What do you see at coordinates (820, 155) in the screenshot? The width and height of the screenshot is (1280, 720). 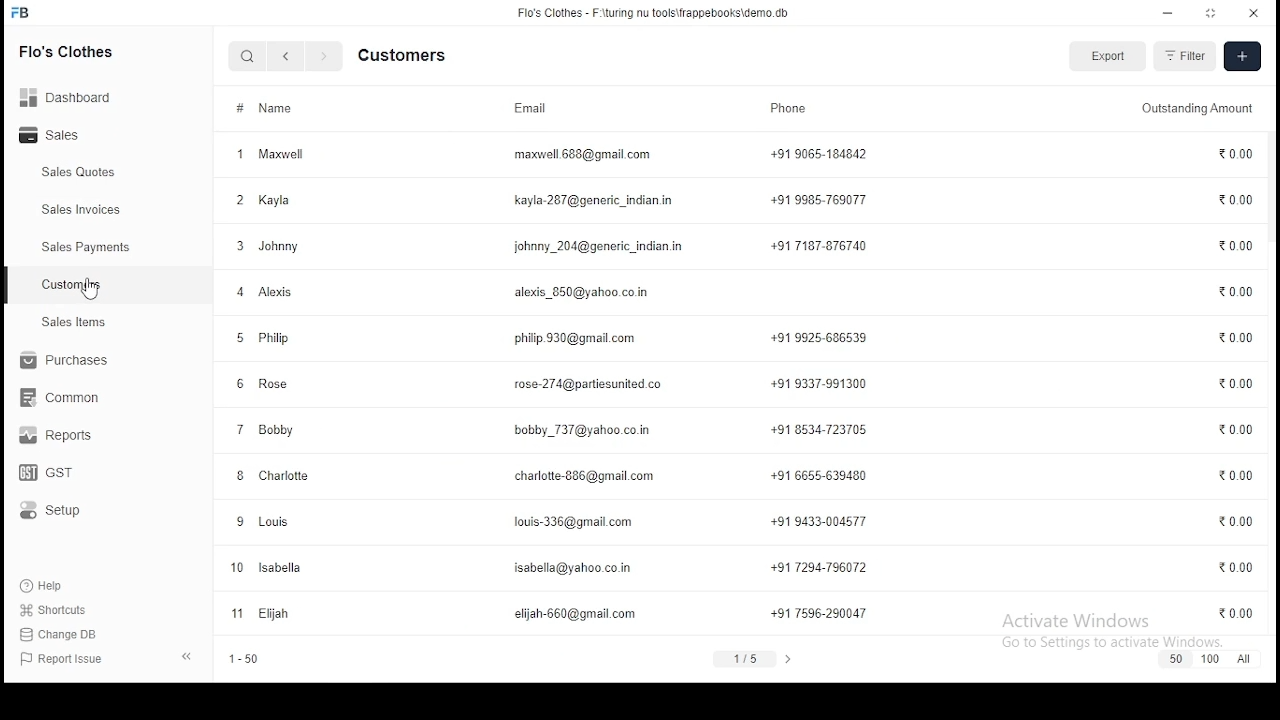 I see `+91 9065-184842` at bounding box center [820, 155].